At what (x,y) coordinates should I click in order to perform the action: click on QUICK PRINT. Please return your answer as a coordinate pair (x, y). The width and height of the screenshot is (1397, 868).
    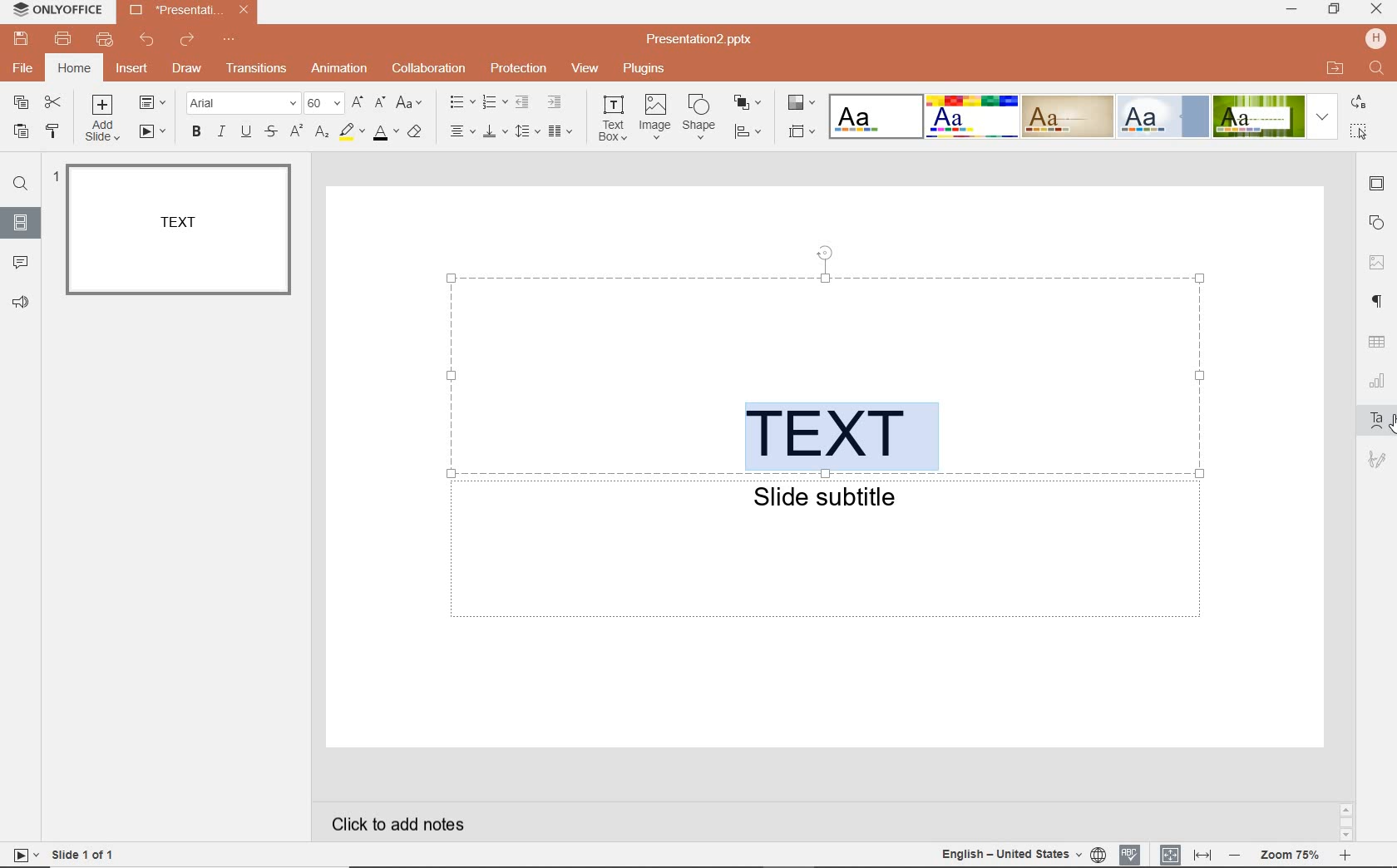
    Looking at the image, I should click on (104, 41).